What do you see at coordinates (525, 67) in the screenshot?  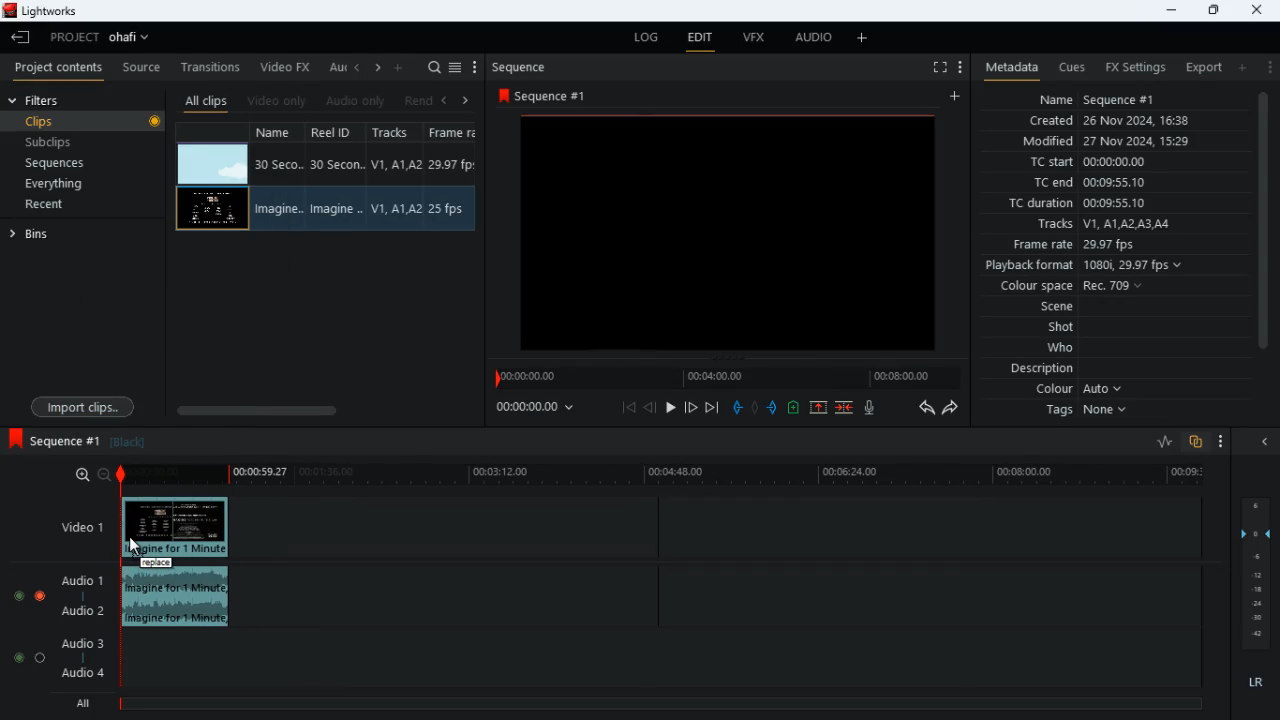 I see `sequence` at bounding box center [525, 67].